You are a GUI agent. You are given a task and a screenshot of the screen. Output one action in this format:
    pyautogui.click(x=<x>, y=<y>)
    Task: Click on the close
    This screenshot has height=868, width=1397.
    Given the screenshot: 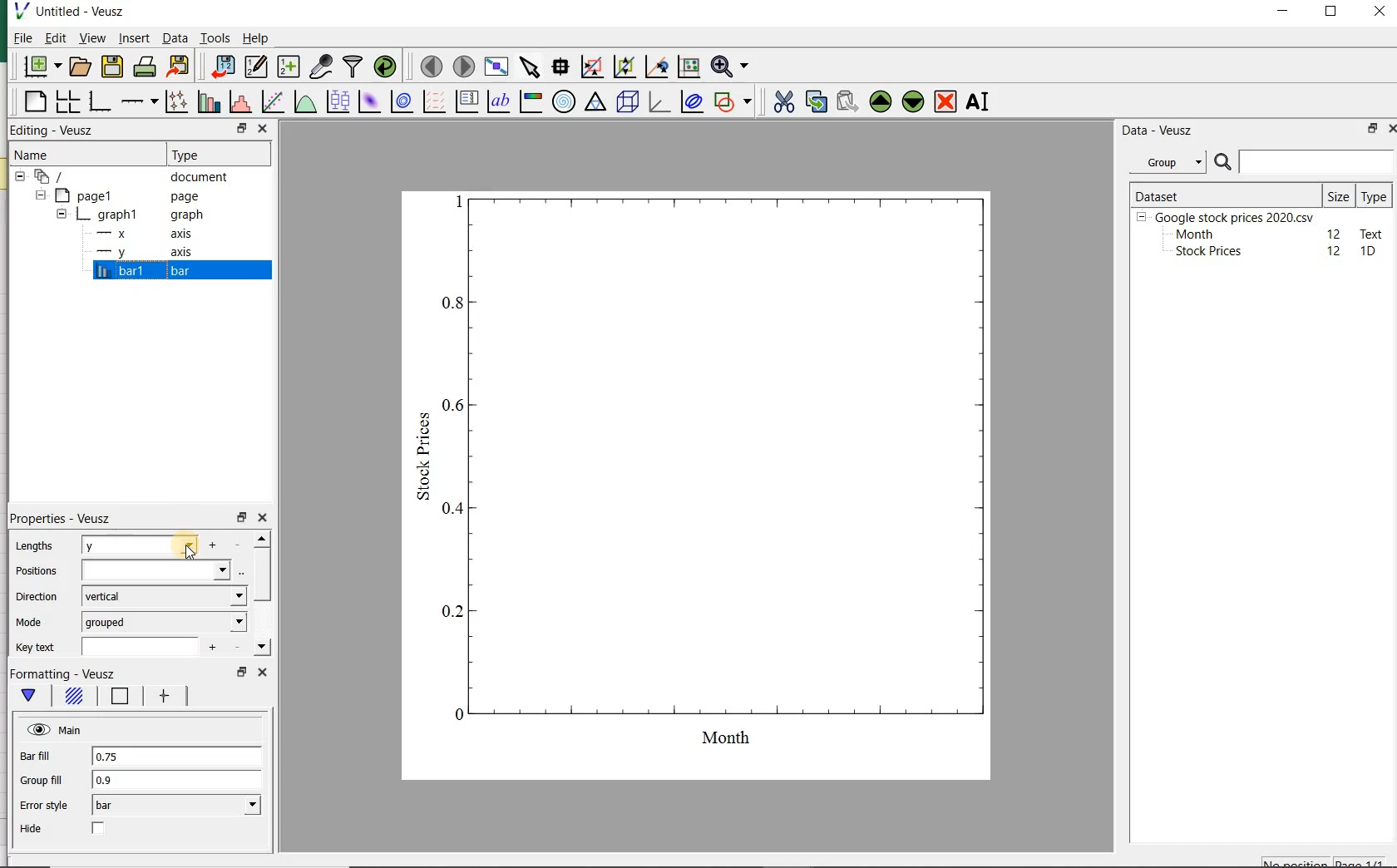 What is the action you would take?
    pyautogui.click(x=262, y=519)
    